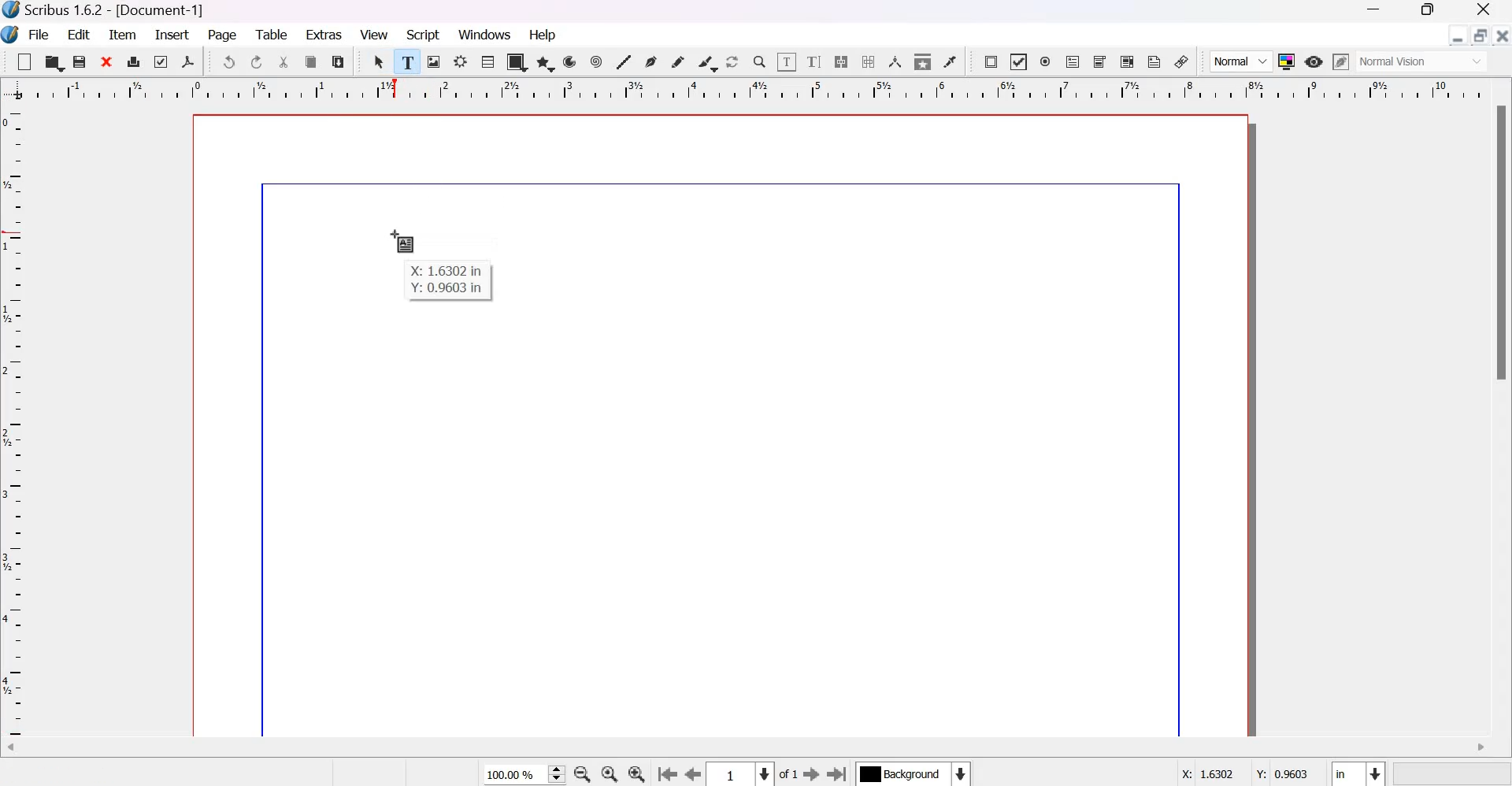 Image resolution: width=1512 pixels, height=786 pixels. What do you see at coordinates (707, 61) in the screenshot?
I see `Calligraphic line` at bounding box center [707, 61].